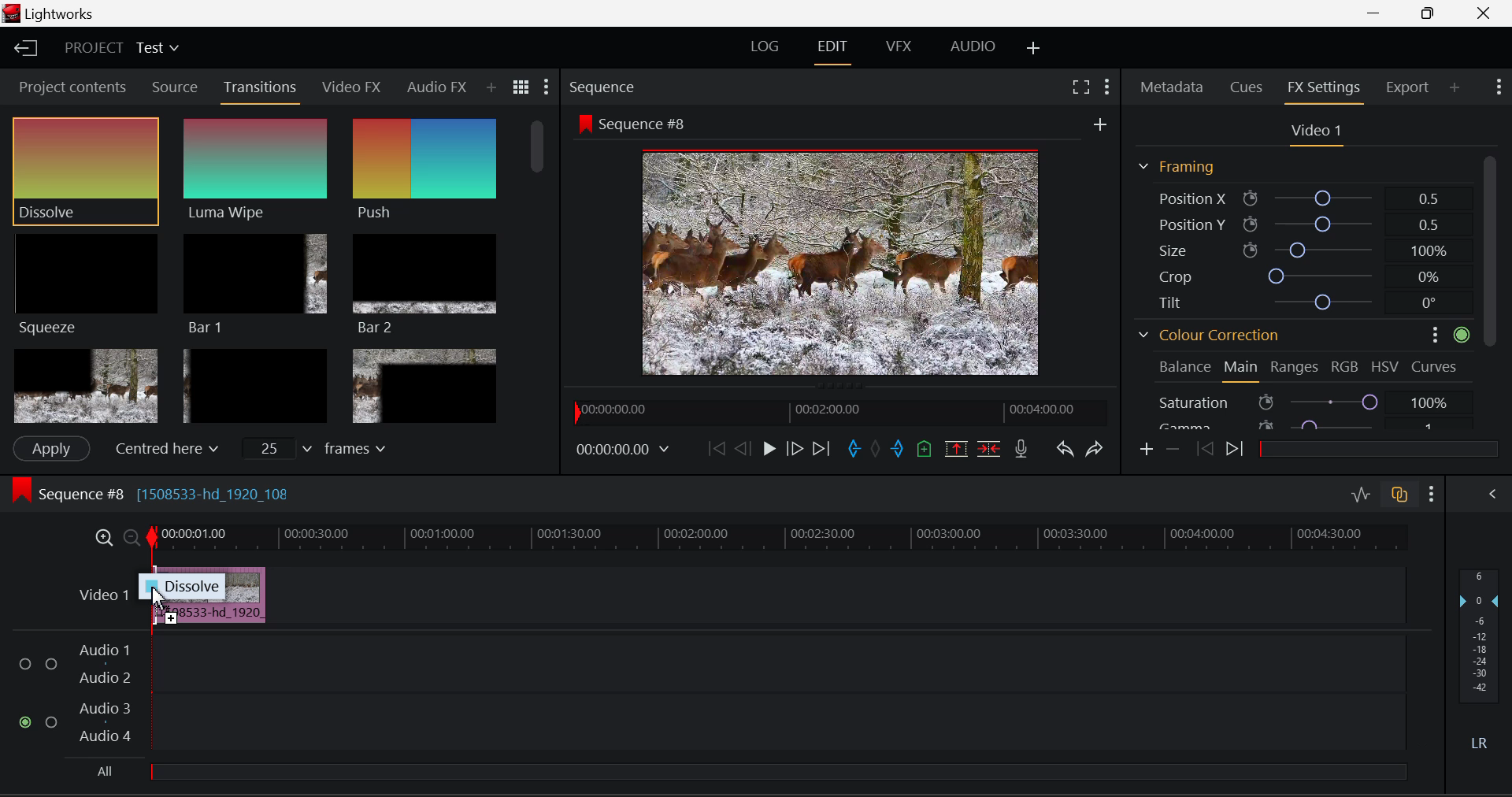 This screenshot has height=797, width=1512. What do you see at coordinates (1210, 334) in the screenshot?
I see `Colour Correction` at bounding box center [1210, 334].